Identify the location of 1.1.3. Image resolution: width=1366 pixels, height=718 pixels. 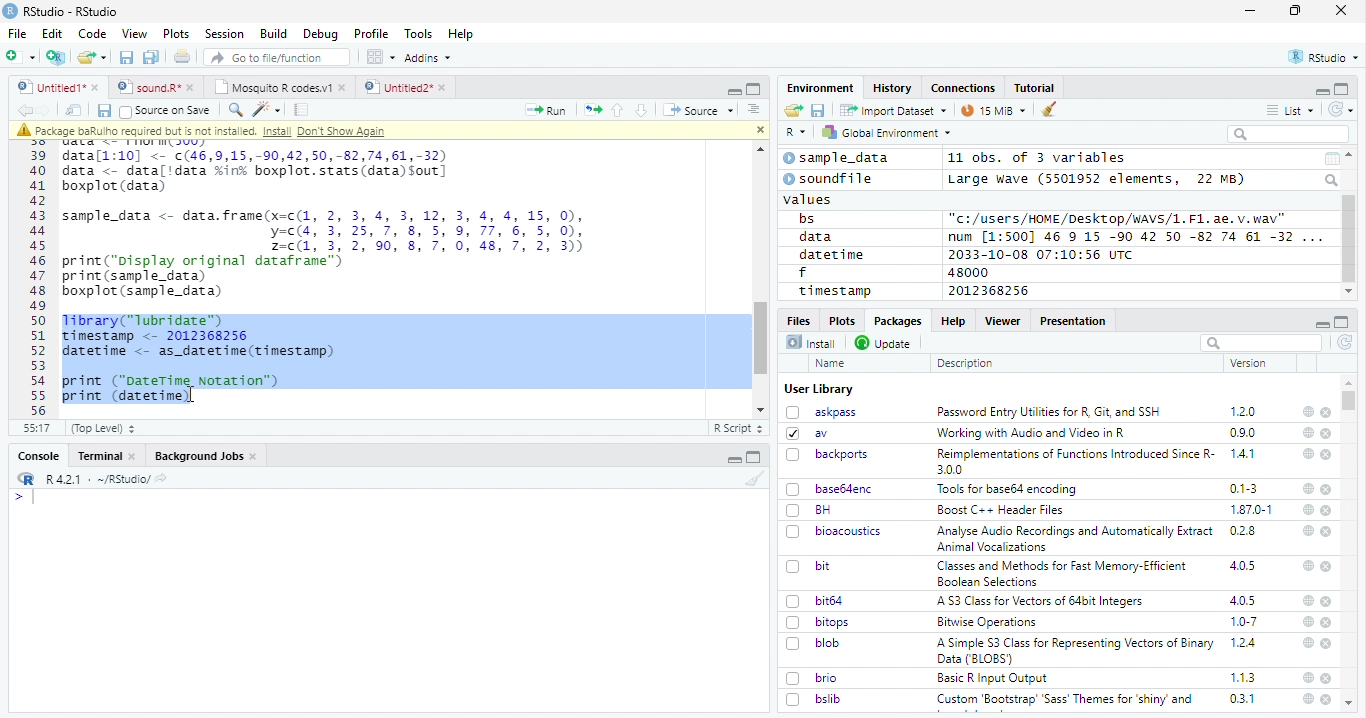
(1243, 677).